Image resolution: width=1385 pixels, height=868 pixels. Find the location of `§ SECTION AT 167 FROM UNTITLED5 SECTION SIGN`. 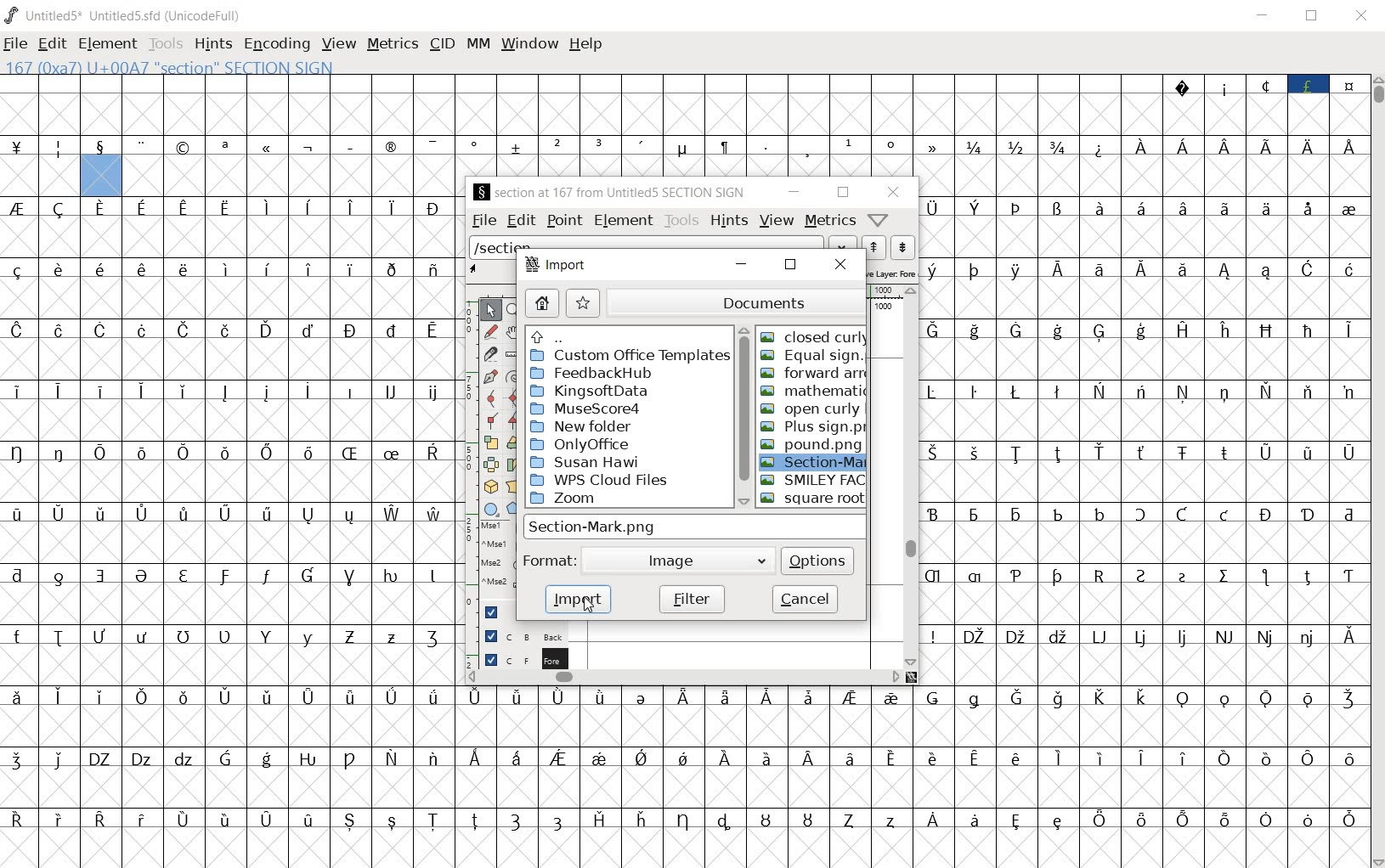

§ SECTION AT 167 FROM UNTITLED5 SECTION SIGN is located at coordinates (611, 192).